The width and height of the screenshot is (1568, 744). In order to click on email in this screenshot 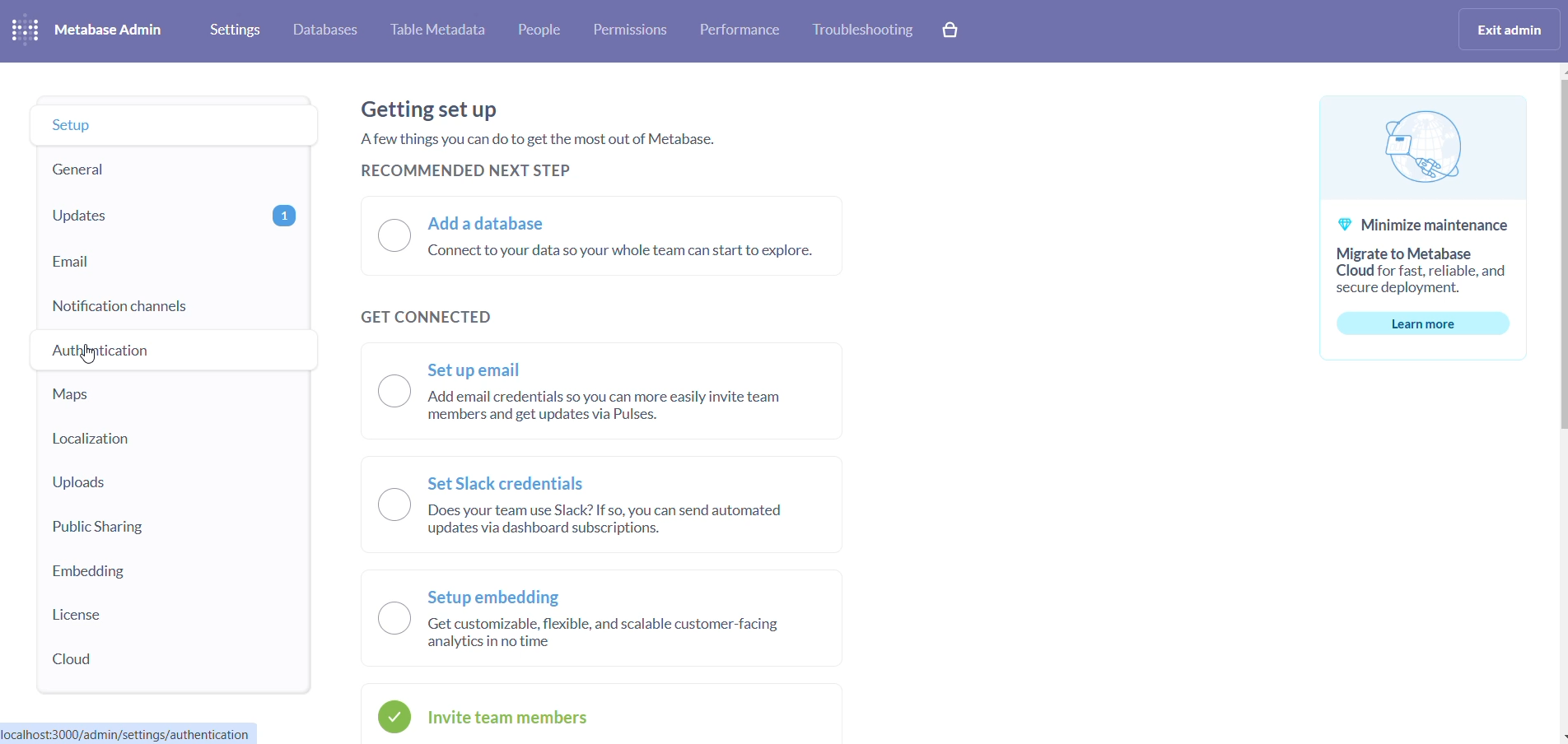, I will do `click(170, 263)`.